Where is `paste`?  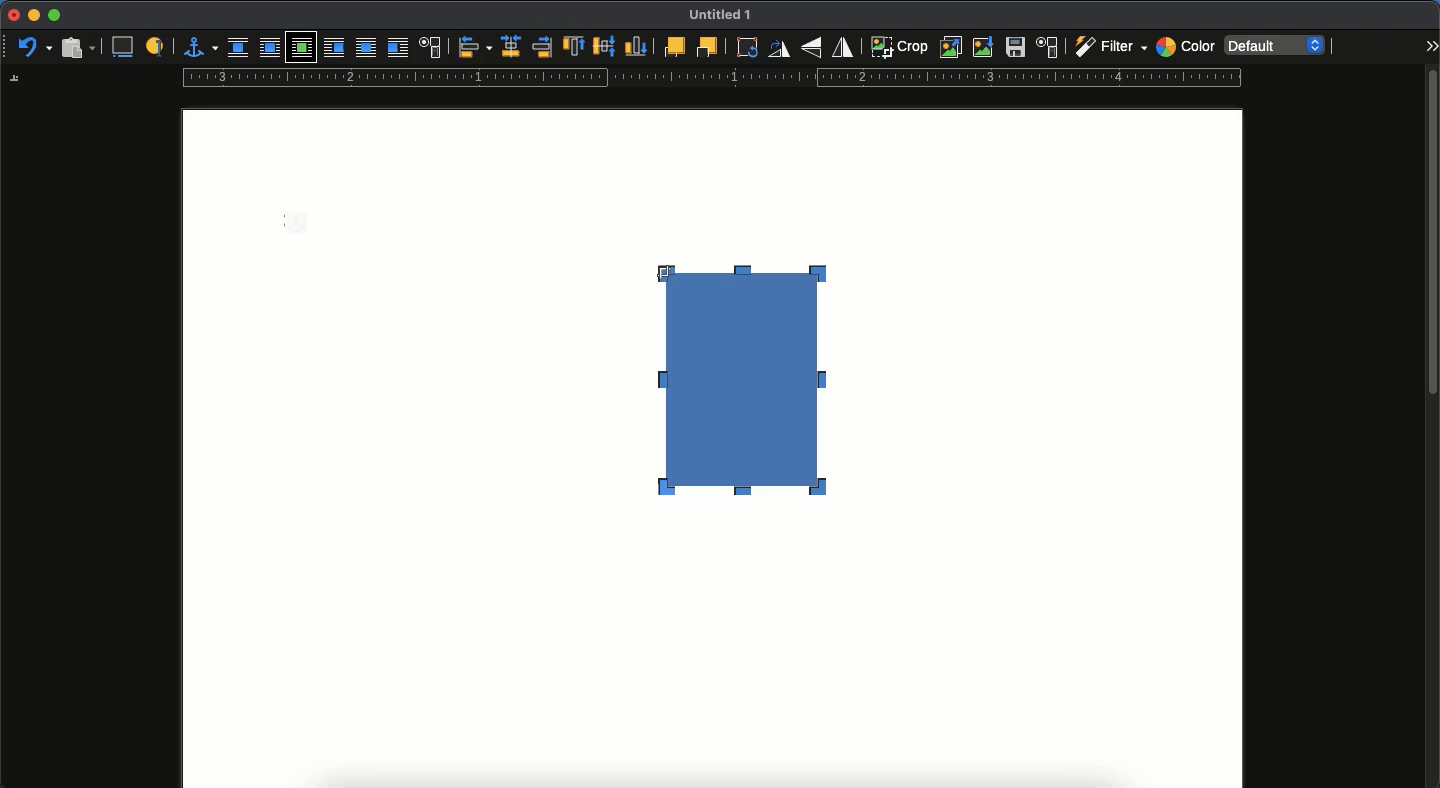 paste is located at coordinates (77, 46).